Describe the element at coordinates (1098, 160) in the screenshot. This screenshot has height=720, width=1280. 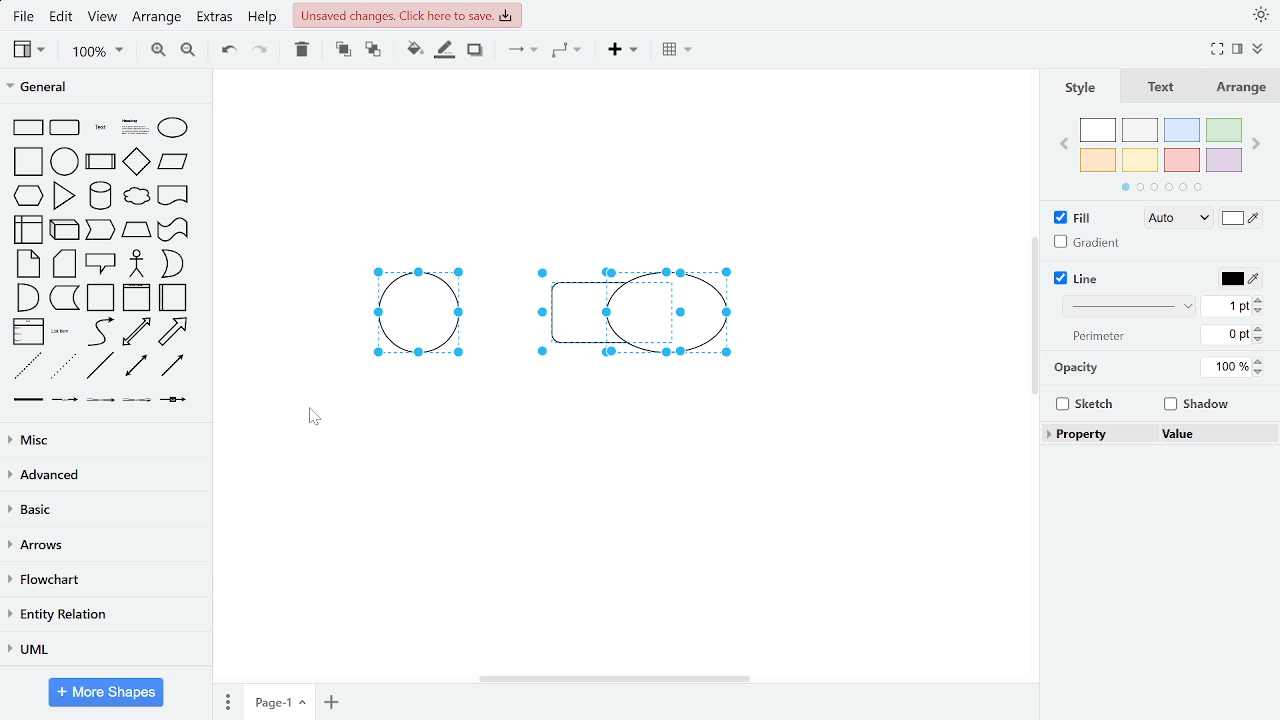
I see `orange` at that location.